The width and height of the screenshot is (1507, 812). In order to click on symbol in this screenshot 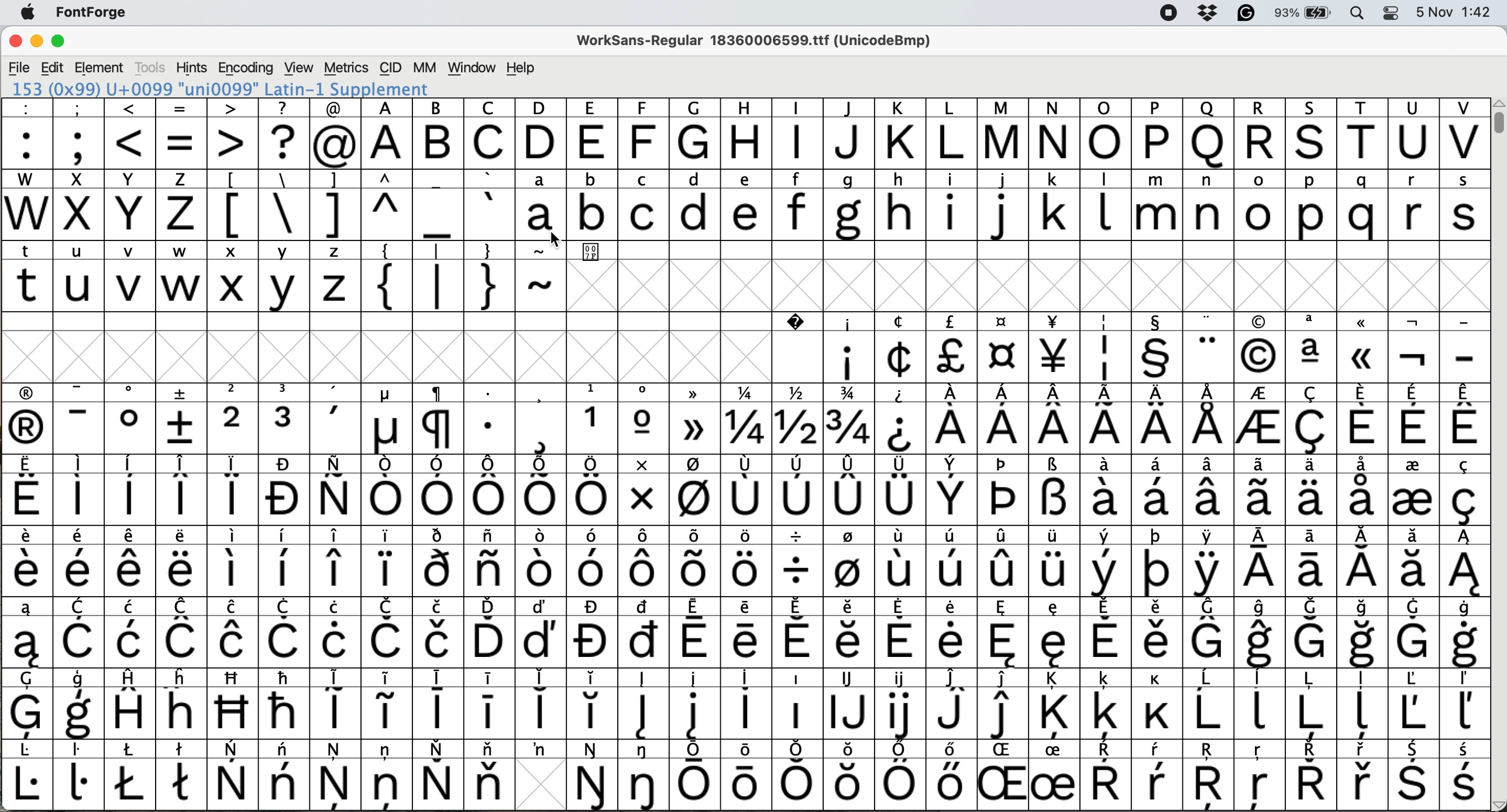, I will do `click(1054, 704)`.